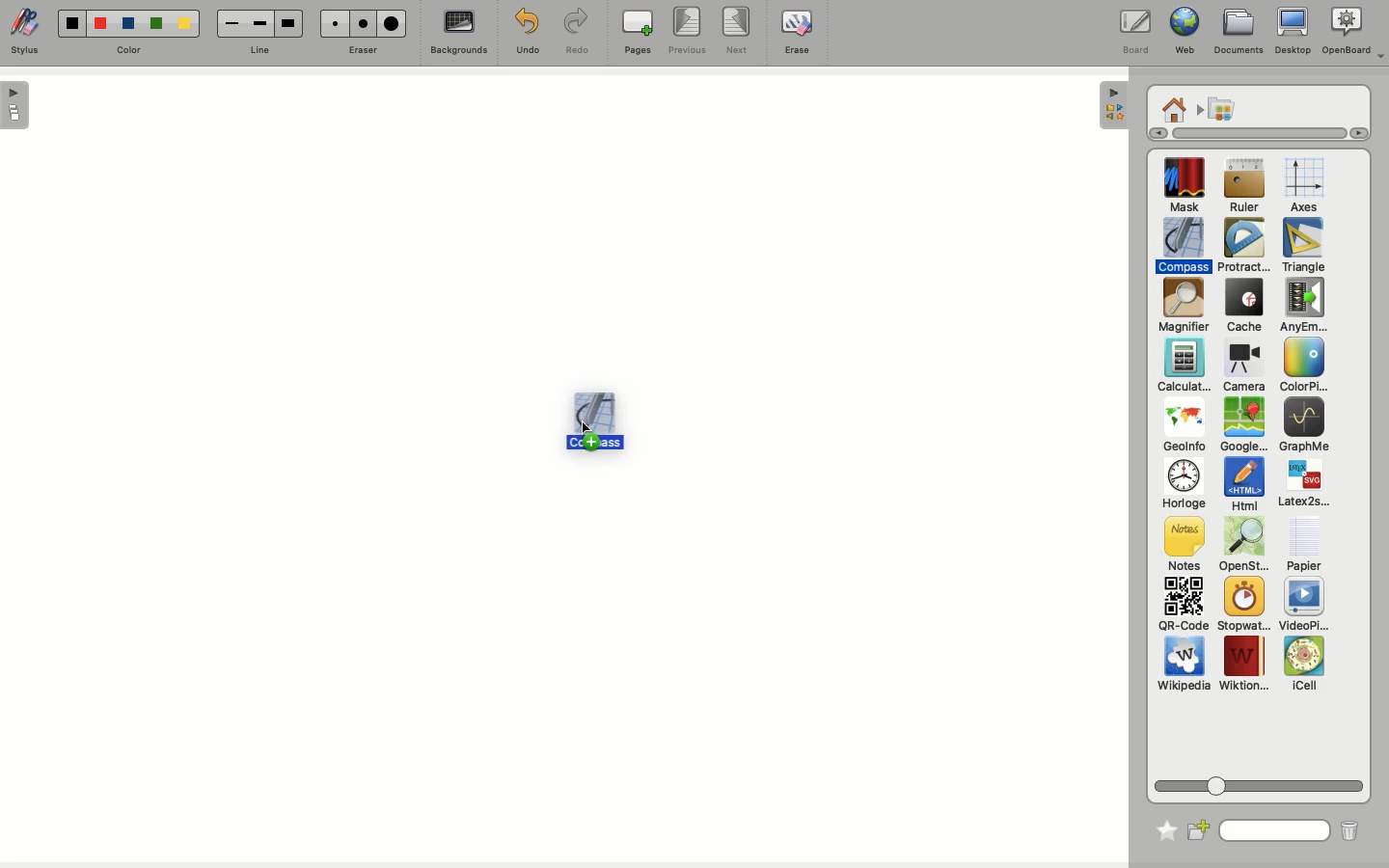 Image resolution: width=1389 pixels, height=868 pixels. Describe the element at coordinates (1293, 35) in the screenshot. I see `Desktop` at that location.